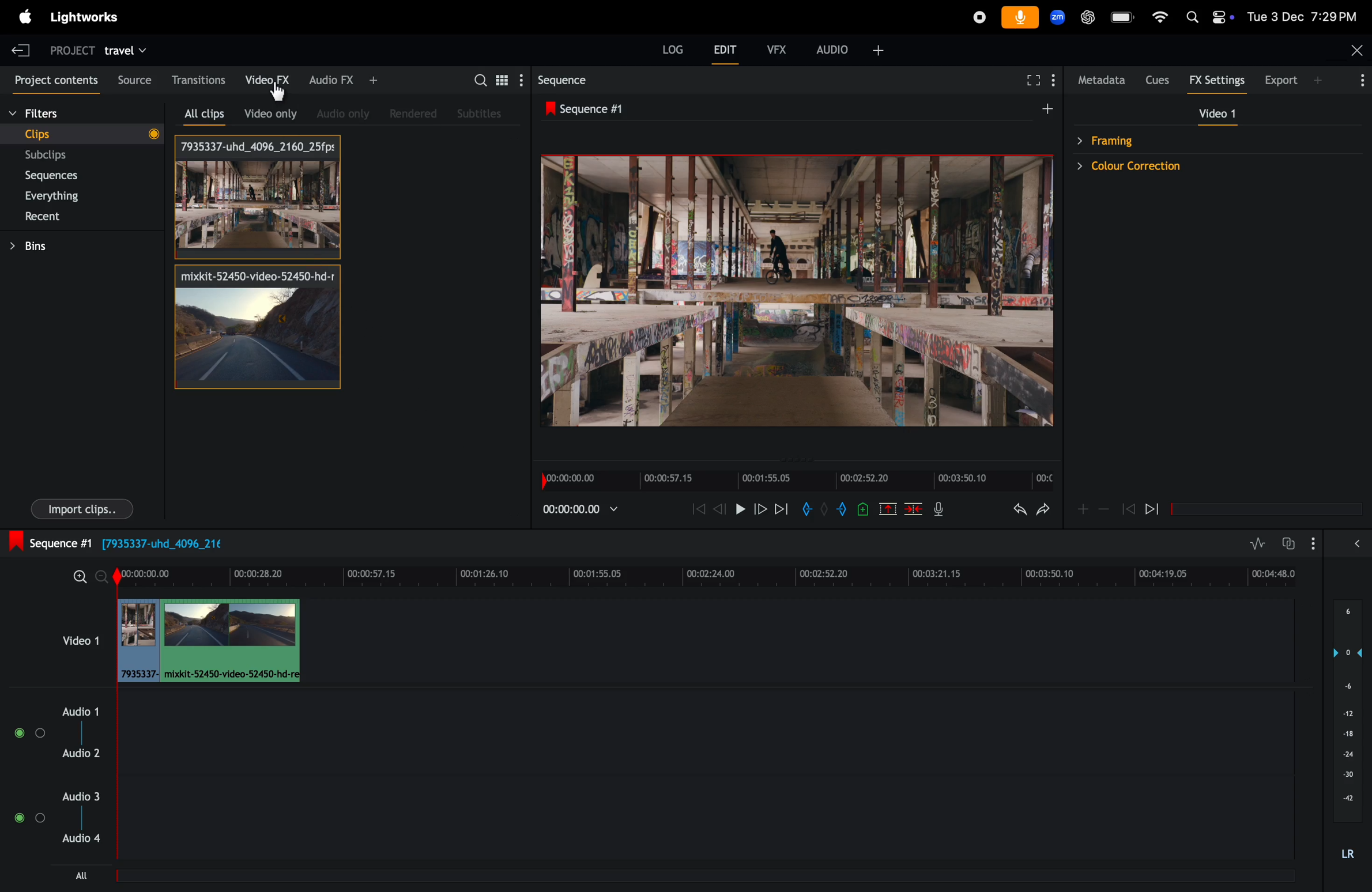  I want to click on import clips, so click(76, 511).